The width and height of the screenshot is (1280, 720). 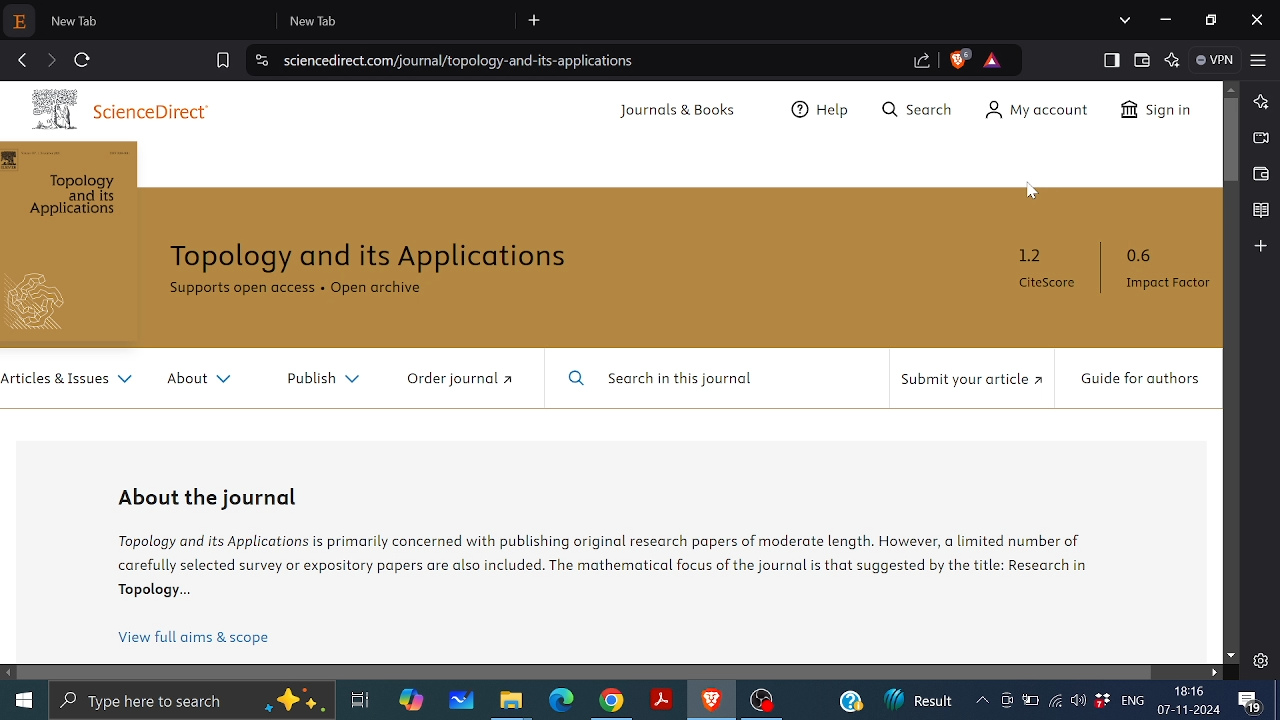 What do you see at coordinates (1030, 703) in the screenshot?
I see `Battery` at bounding box center [1030, 703].